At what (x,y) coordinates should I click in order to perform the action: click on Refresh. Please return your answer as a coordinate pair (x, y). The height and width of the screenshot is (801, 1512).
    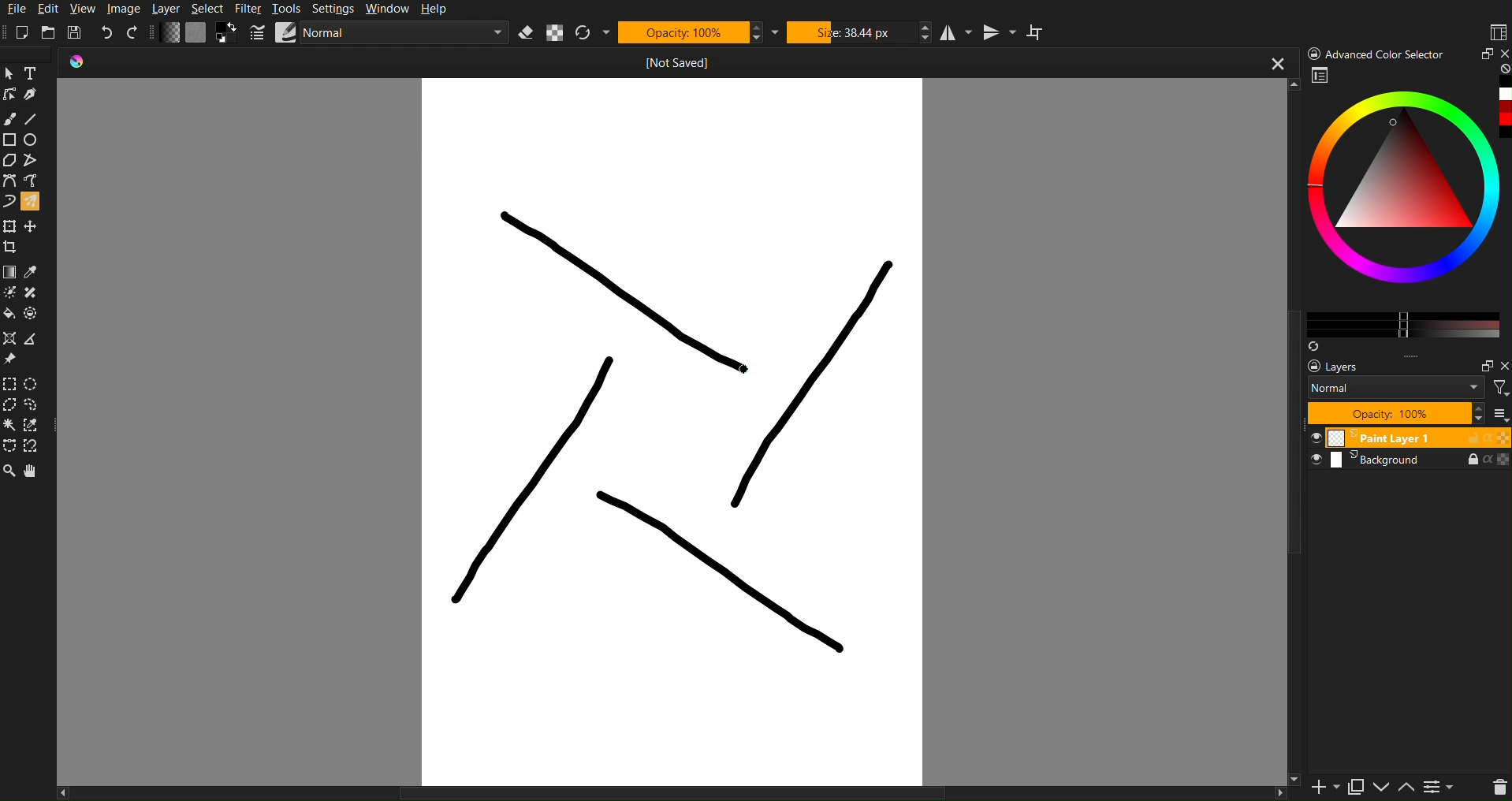
    Looking at the image, I should click on (589, 33).